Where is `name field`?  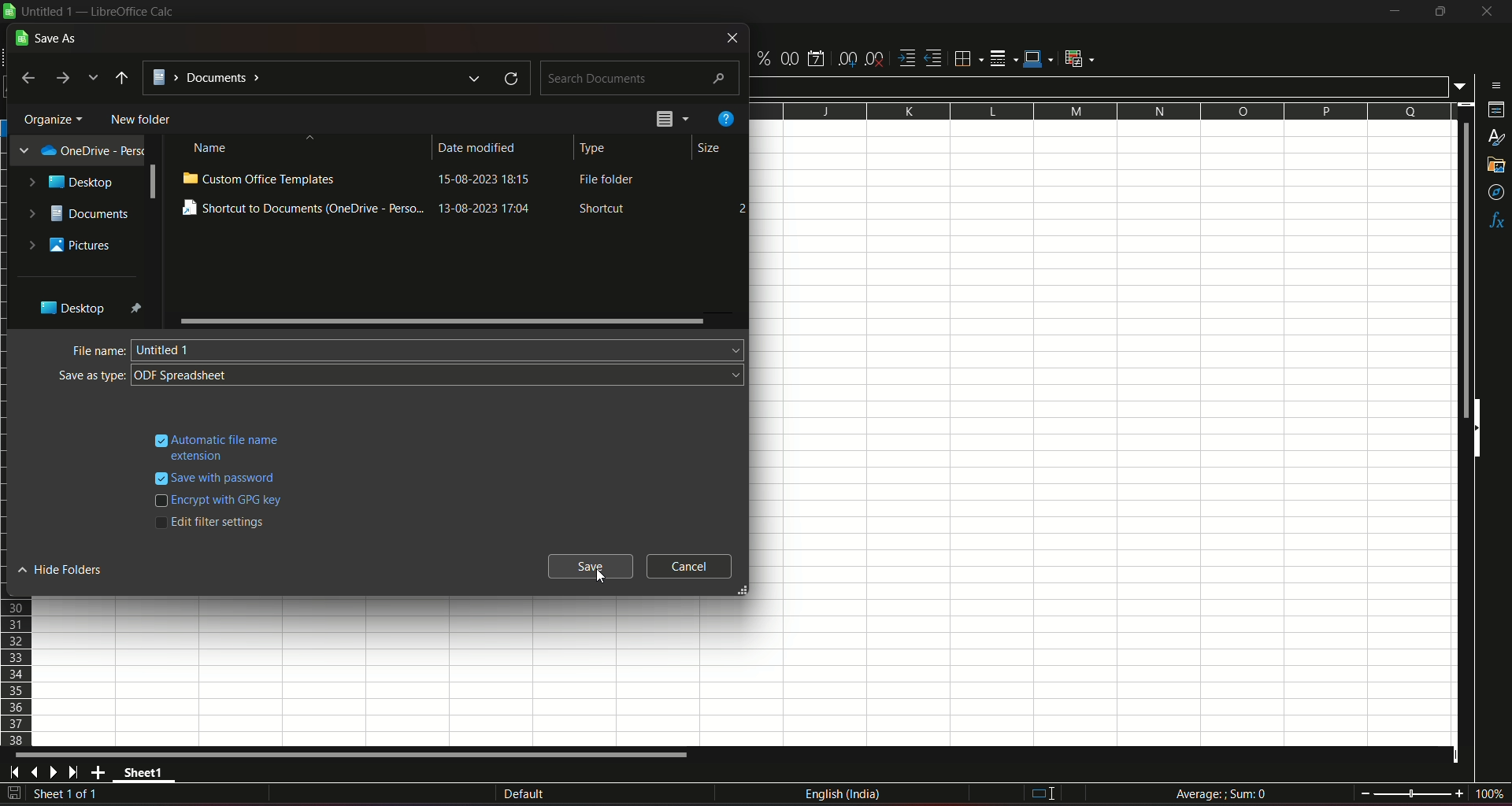 name field is located at coordinates (439, 349).